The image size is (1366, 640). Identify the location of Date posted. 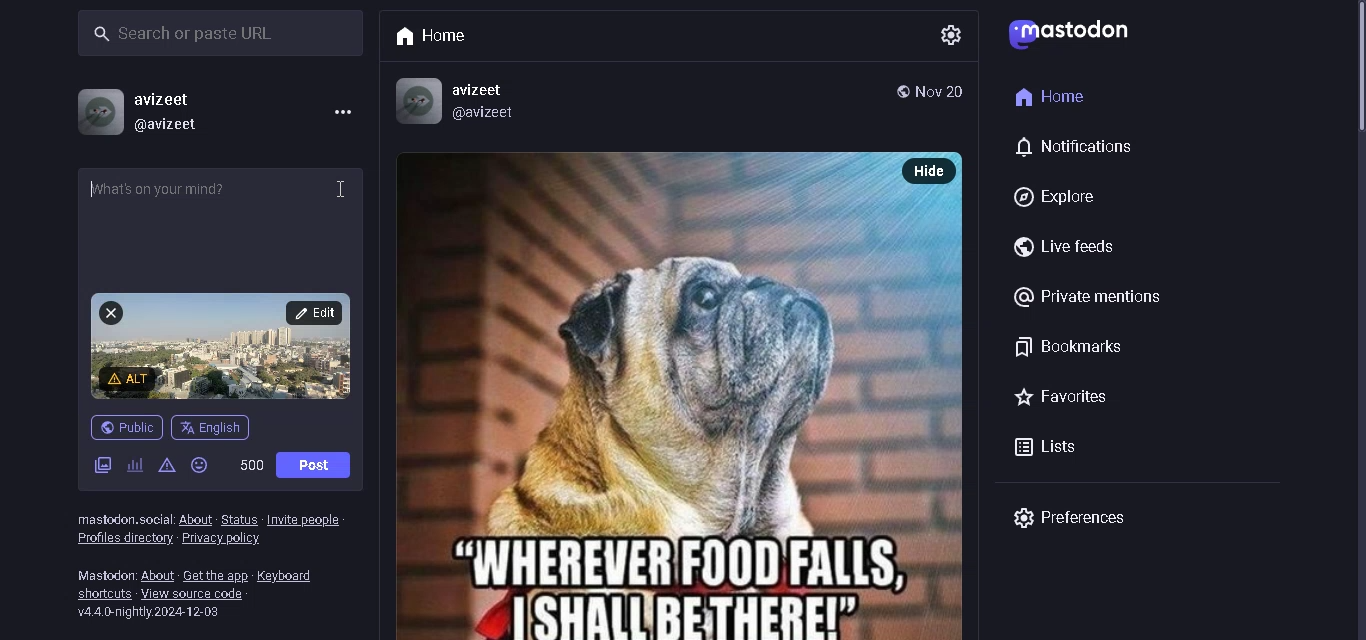
(938, 91).